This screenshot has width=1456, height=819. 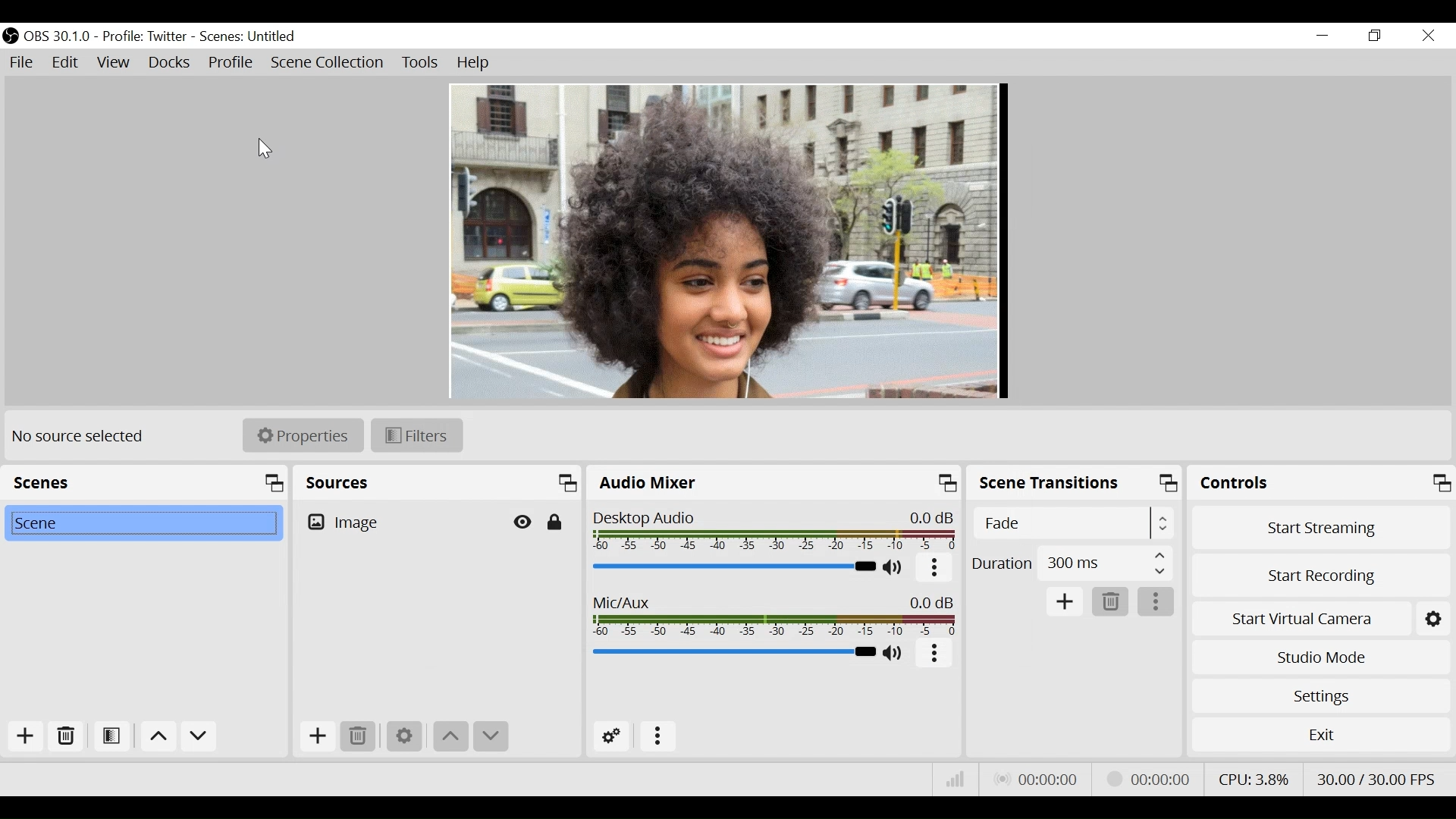 I want to click on Scenes Panel, so click(x=144, y=482).